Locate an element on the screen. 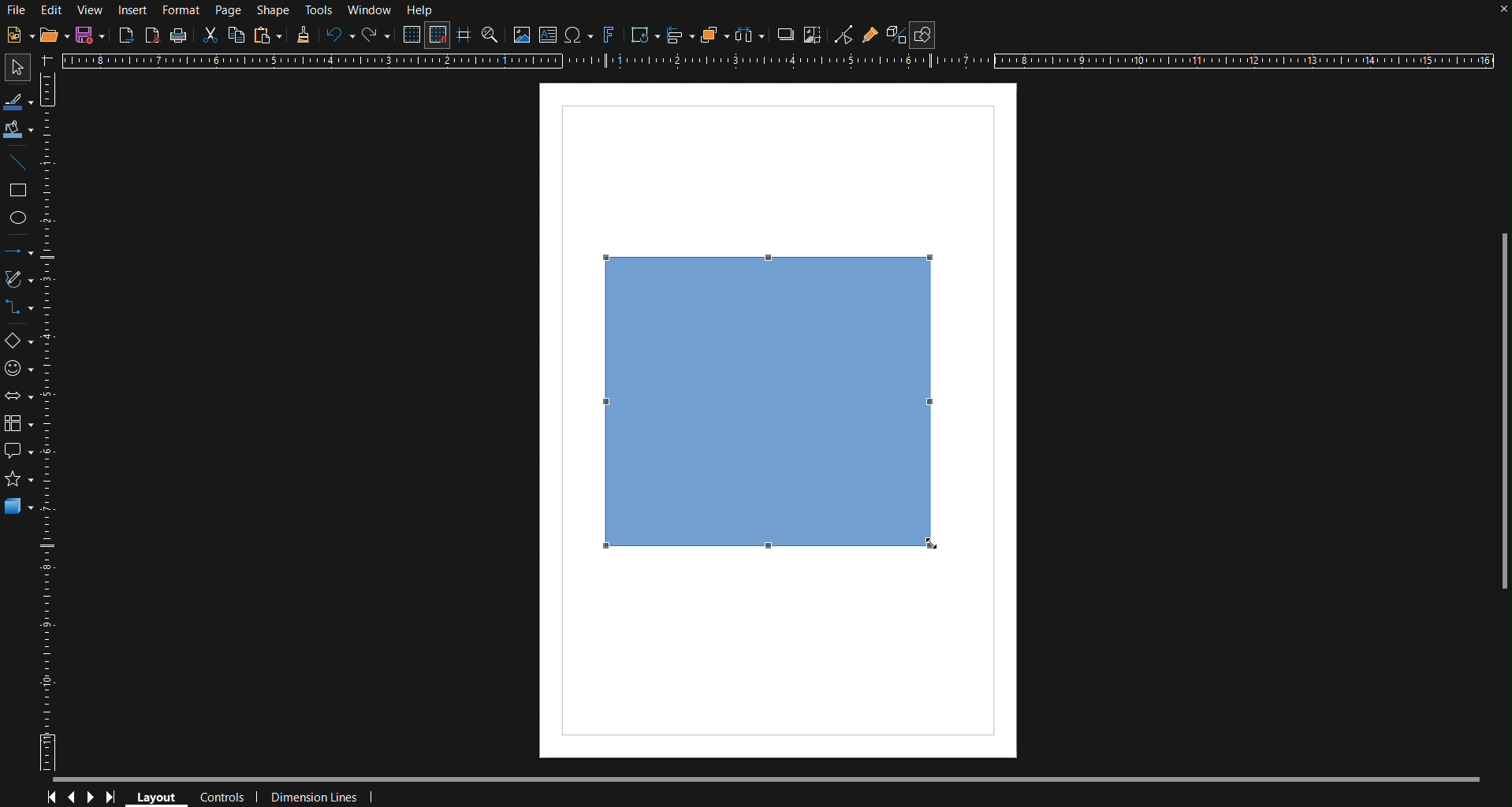 The width and height of the screenshot is (1512, 807). Insert Image is located at coordinates (520, 34).